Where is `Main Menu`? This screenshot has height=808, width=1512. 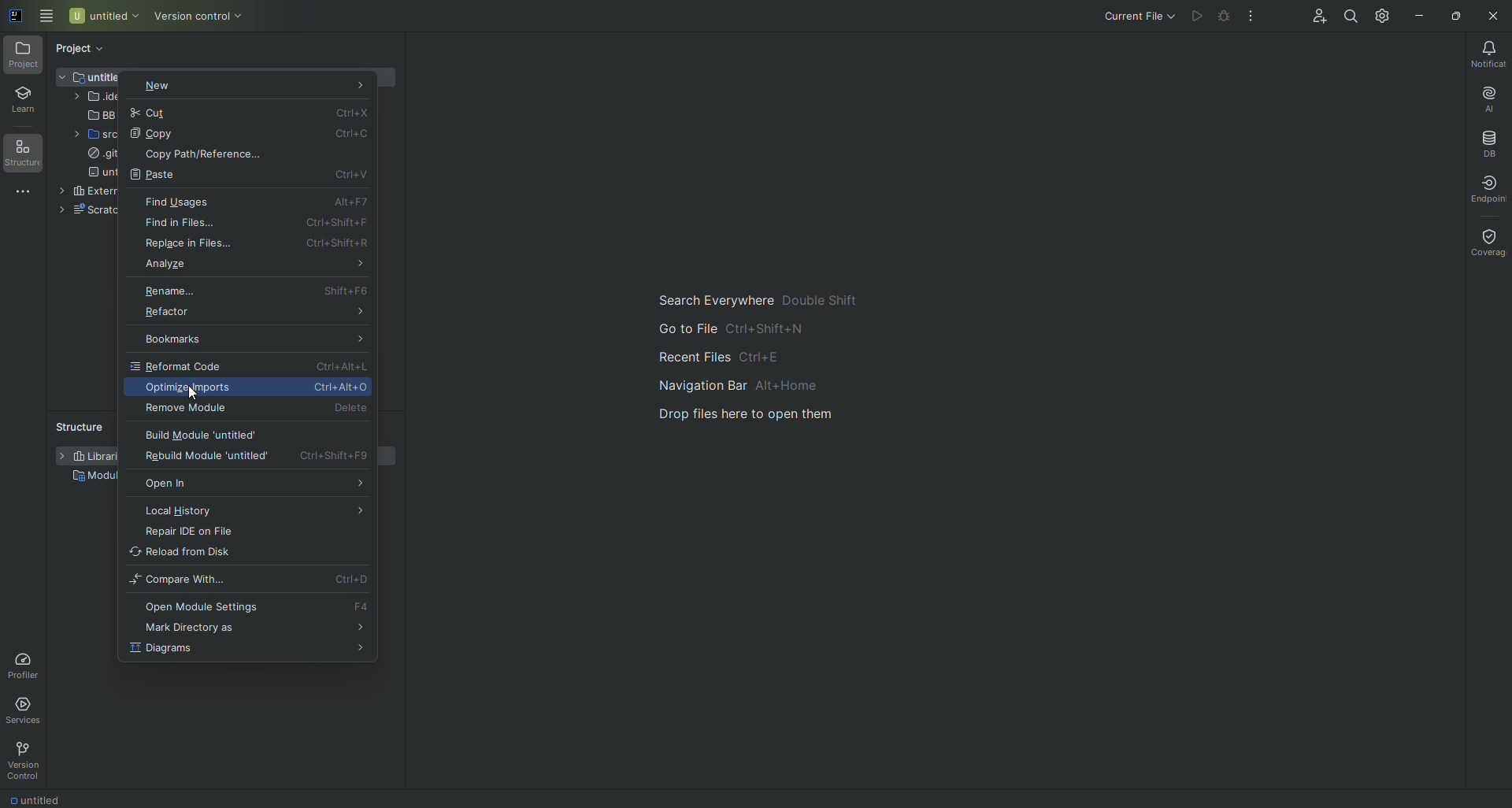
Main Menu is located at coordinates (46, 17).